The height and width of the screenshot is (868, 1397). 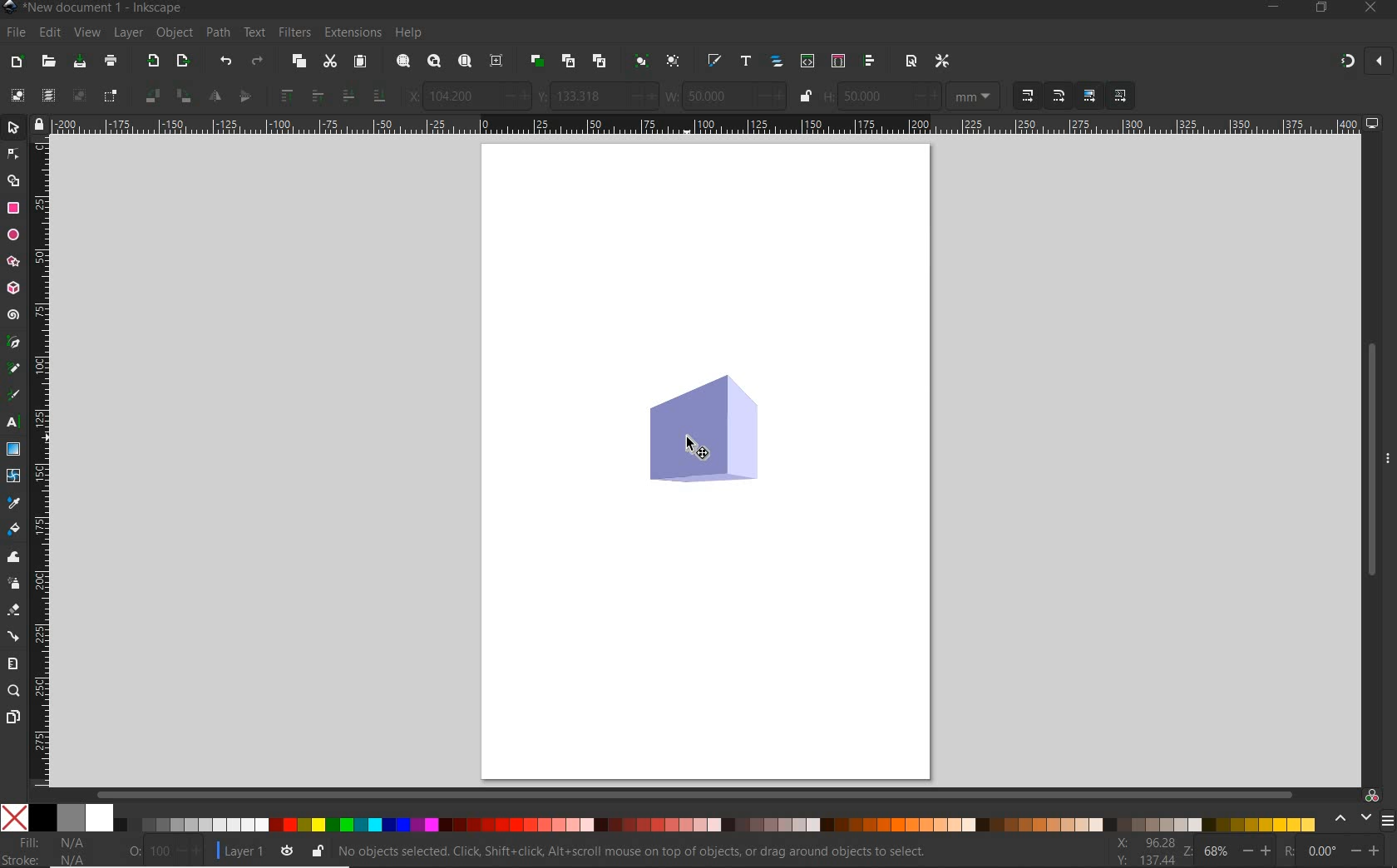 I want to click on redo, so click(x=258, y=60).